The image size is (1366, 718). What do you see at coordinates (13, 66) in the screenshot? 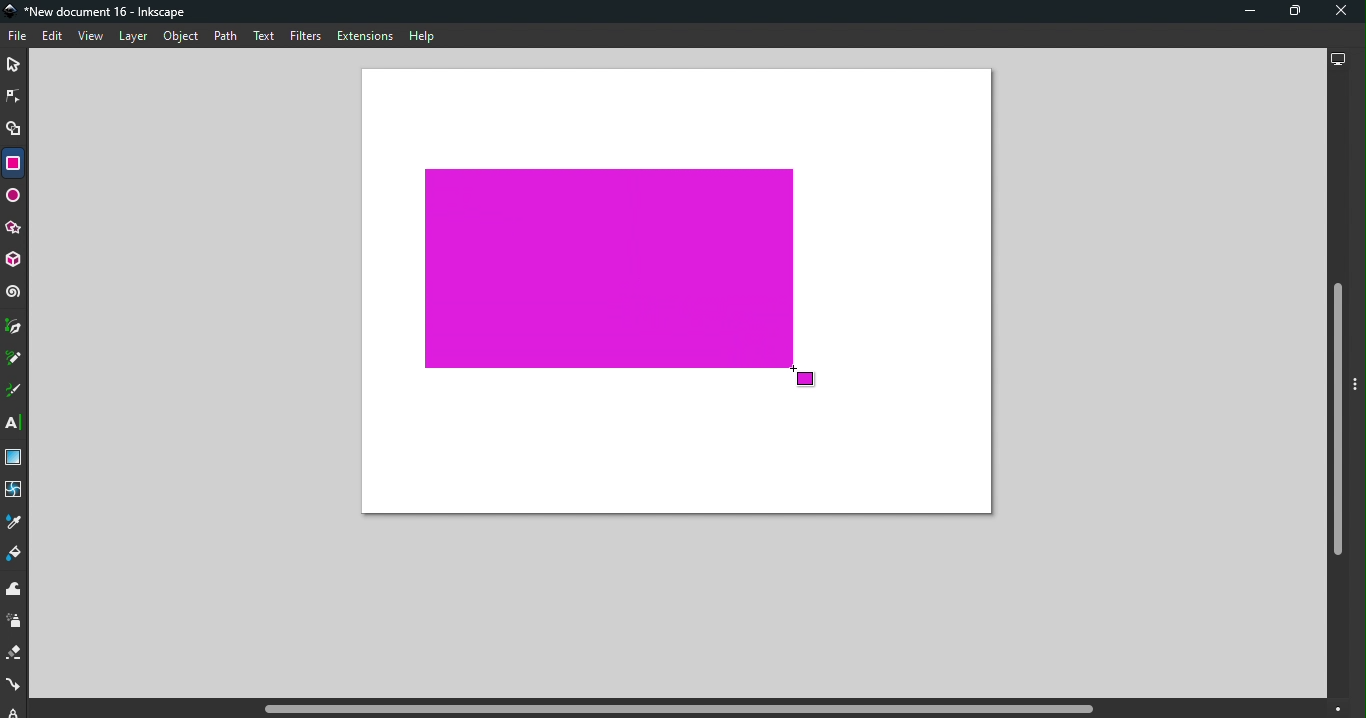
I see `Selector` at bounding box center [13, 66].